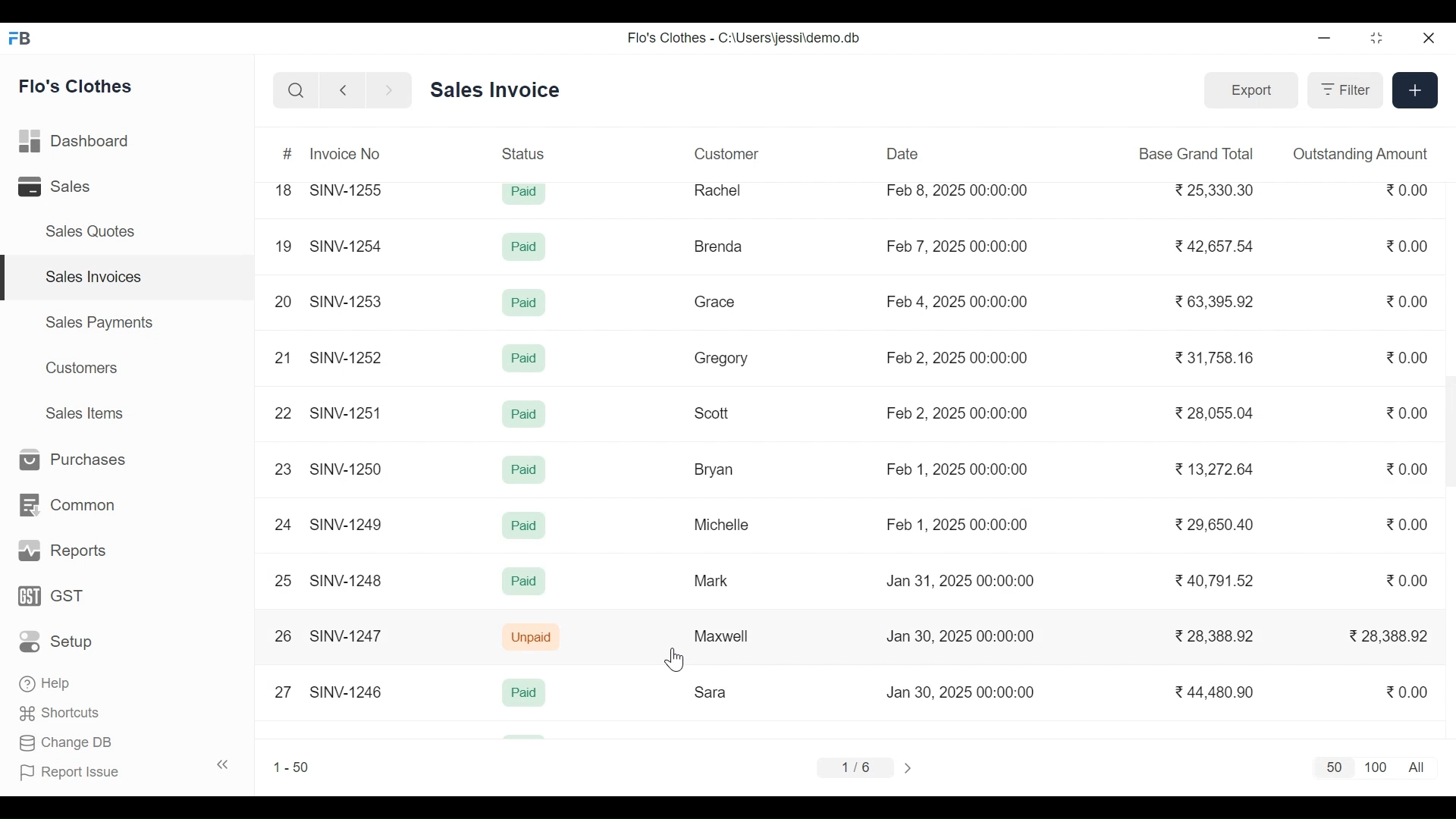  I want to click on 0.00, so click(1410, 580).